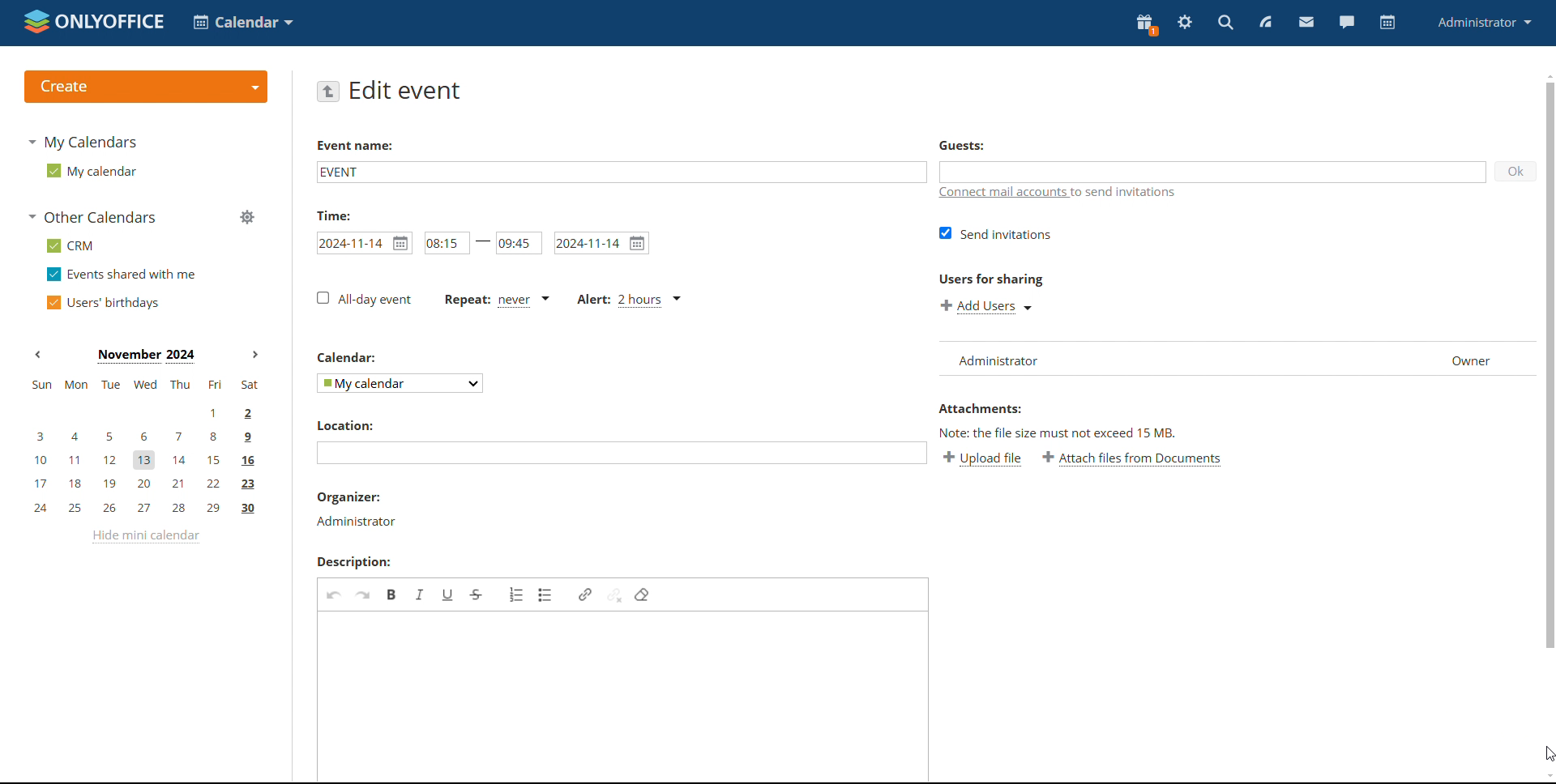 Image resolution: width=1556 pixels, height=784 pixels. Describe the element at coordinates (629, 300) in the screenshot. I see `alert set for 2 hours before` at that location.